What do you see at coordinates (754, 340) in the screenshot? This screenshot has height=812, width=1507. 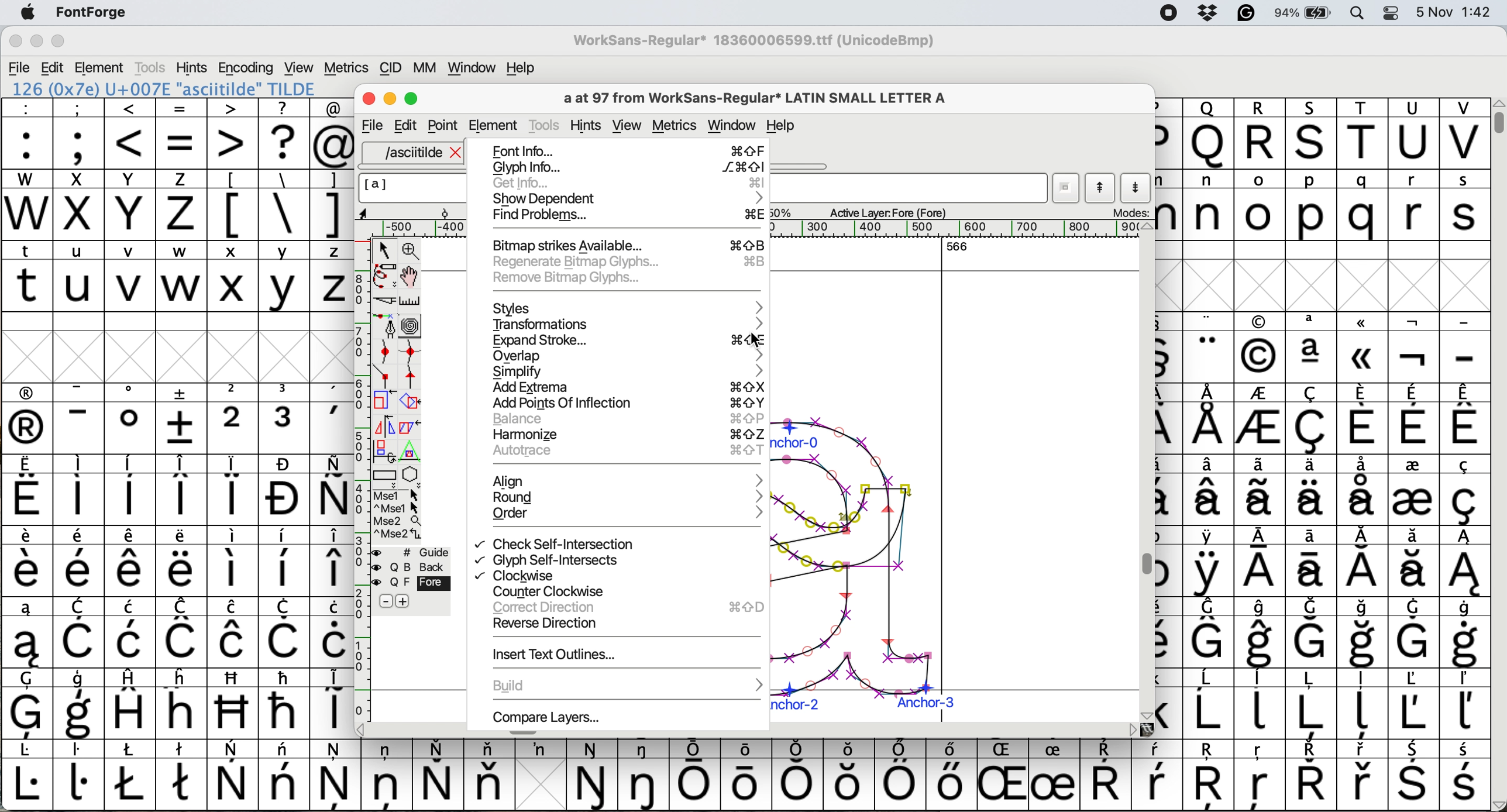 I see `cursor` at bounding box center [754, 340].